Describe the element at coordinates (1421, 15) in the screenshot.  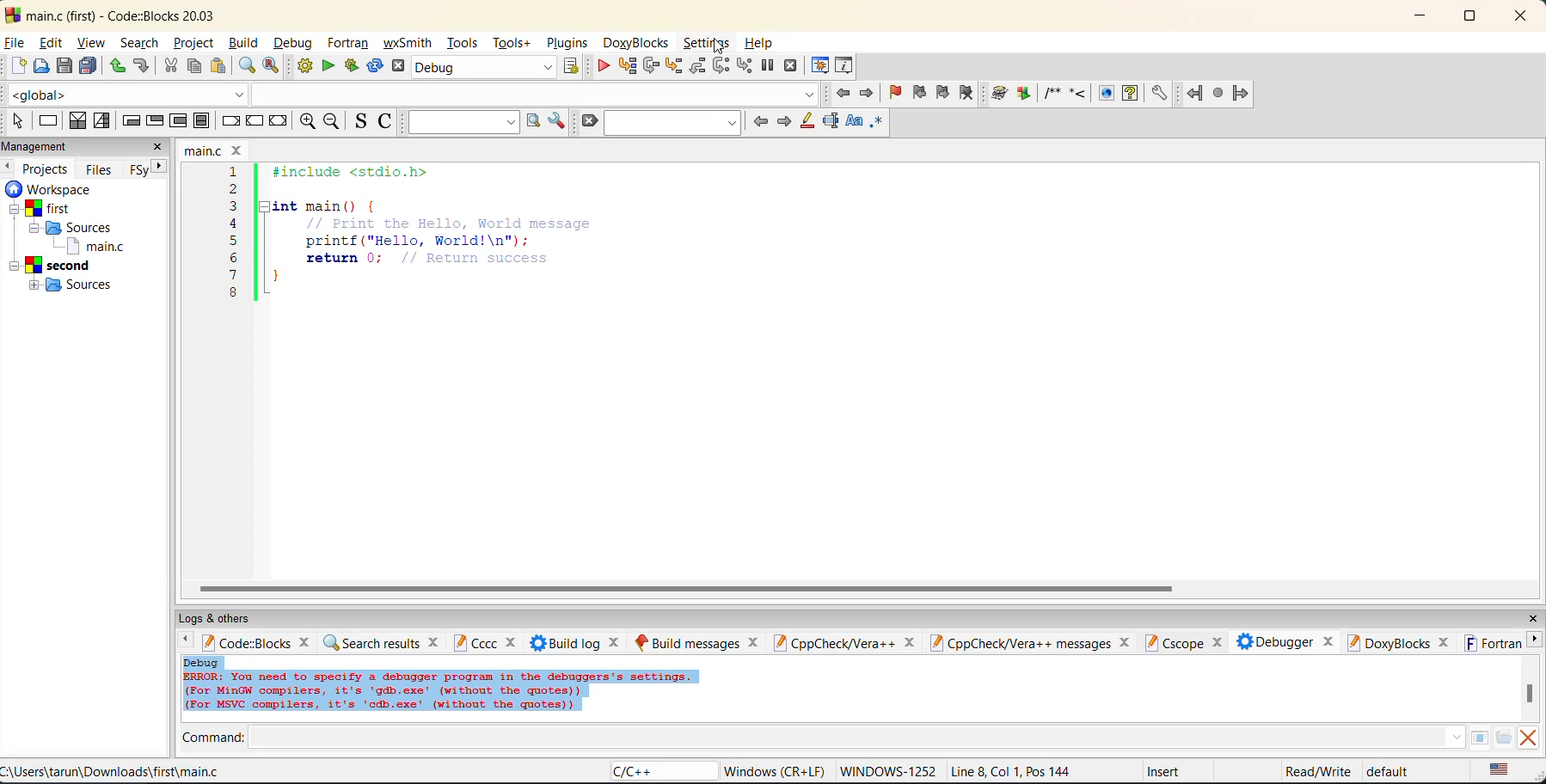
I see `minimize` at that location.